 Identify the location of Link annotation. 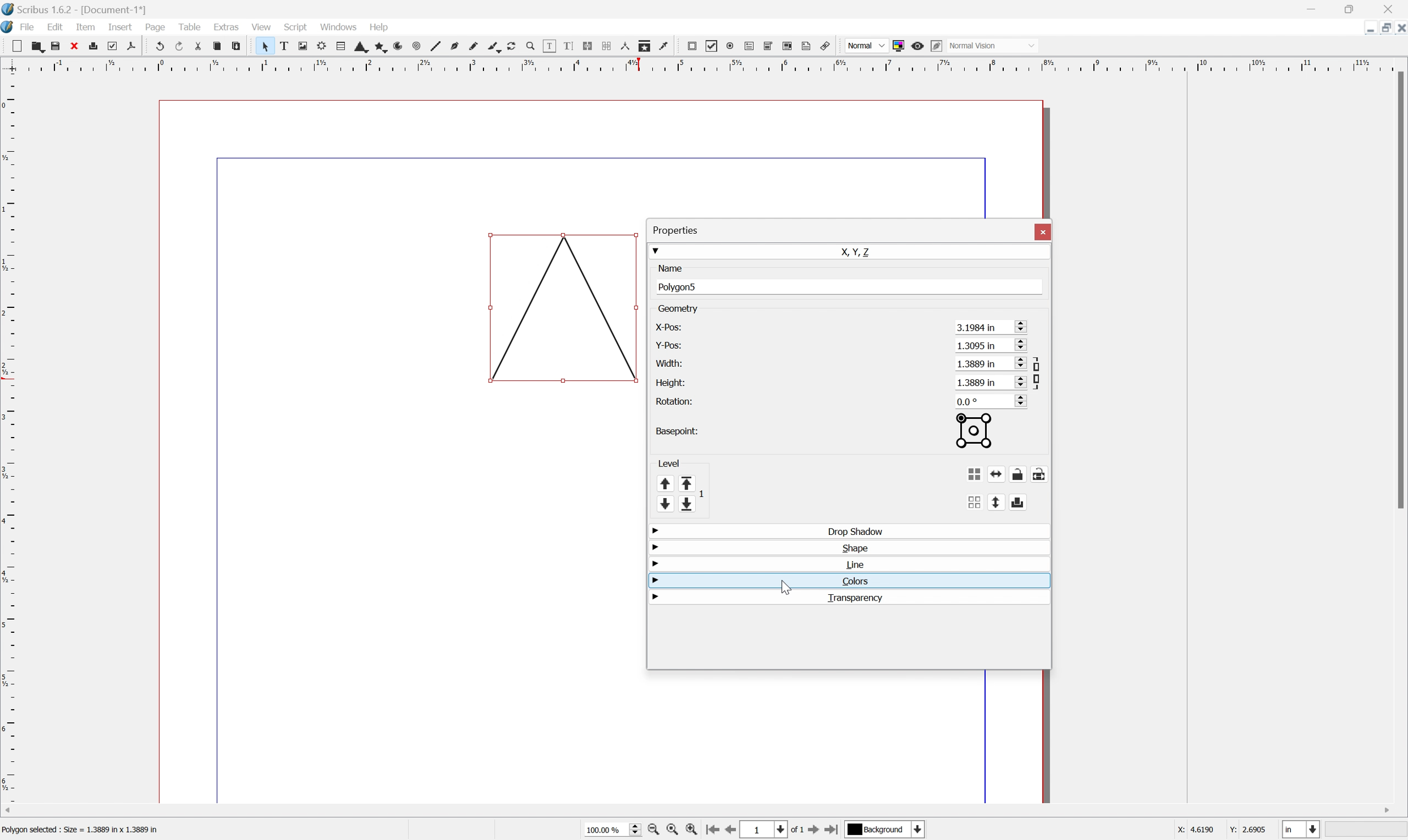
(827, 45).